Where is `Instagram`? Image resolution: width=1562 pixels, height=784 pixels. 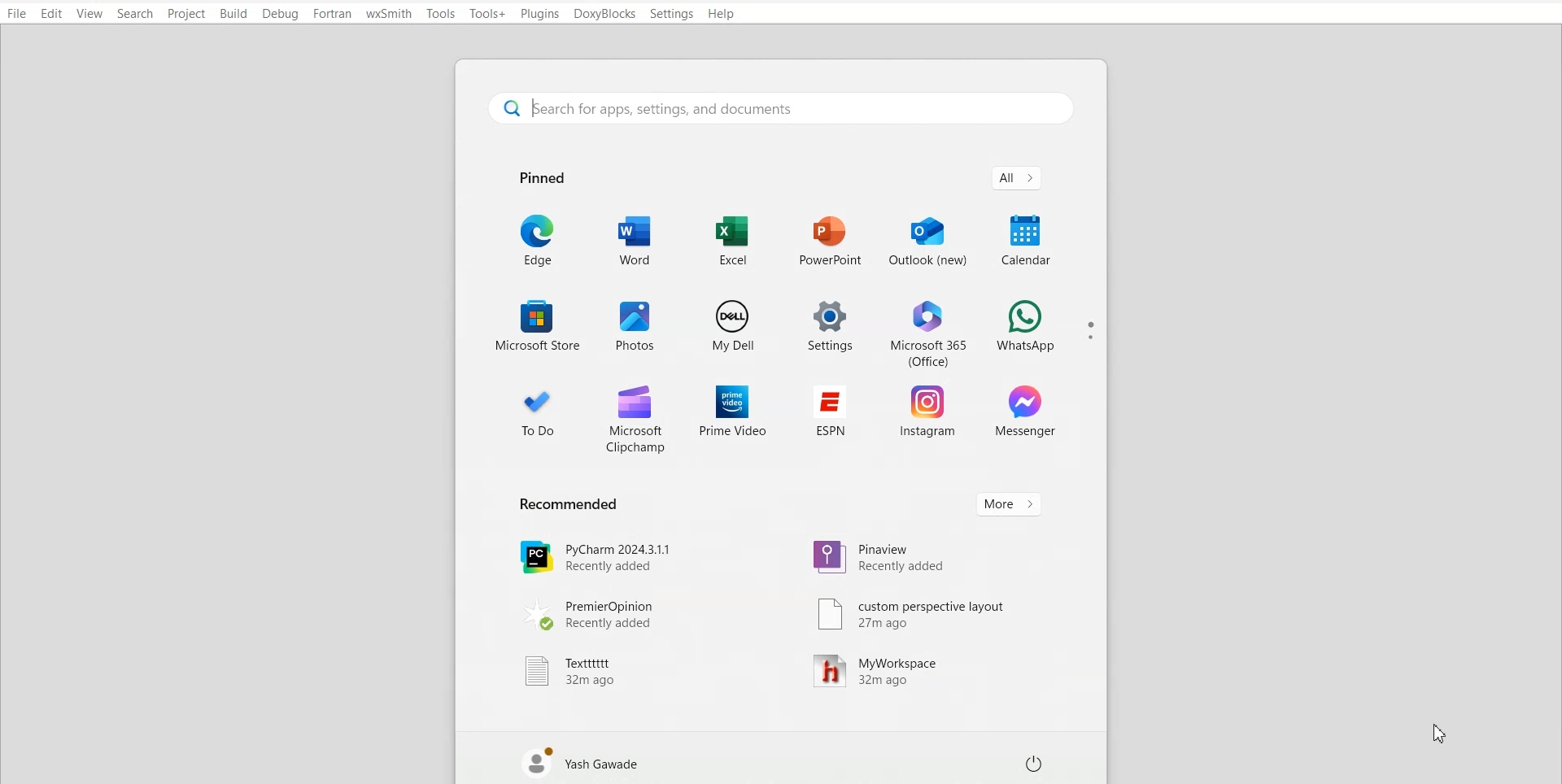
Instagram is located at coordinates (928, 412).